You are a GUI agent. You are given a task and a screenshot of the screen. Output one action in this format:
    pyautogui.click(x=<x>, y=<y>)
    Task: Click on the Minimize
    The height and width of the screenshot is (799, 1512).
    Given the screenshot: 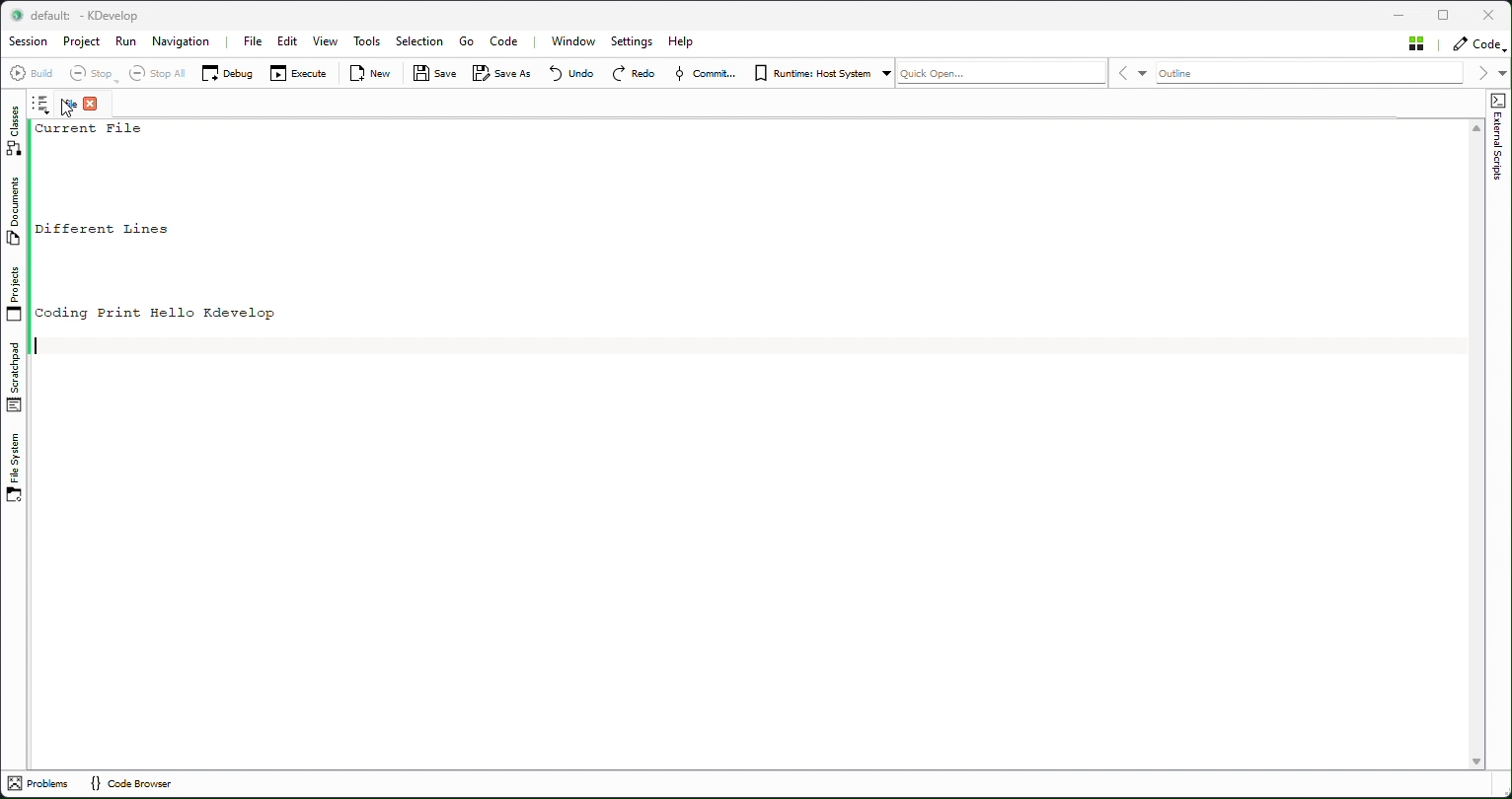 What is the action you would take?
    pyautogui.click(x=1404, y=13)
    